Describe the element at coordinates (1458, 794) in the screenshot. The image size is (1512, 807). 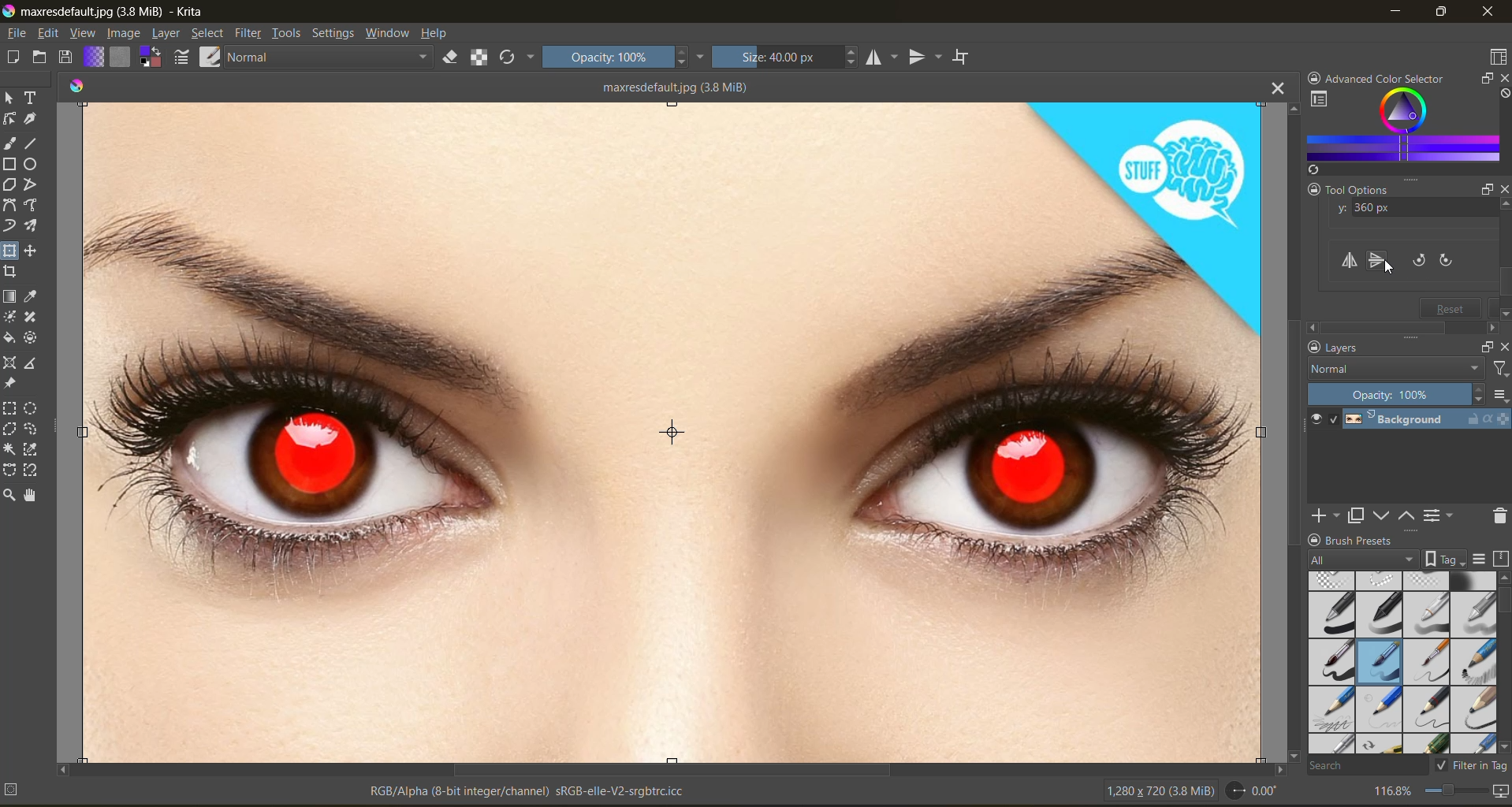
I see `zoom` at that location.